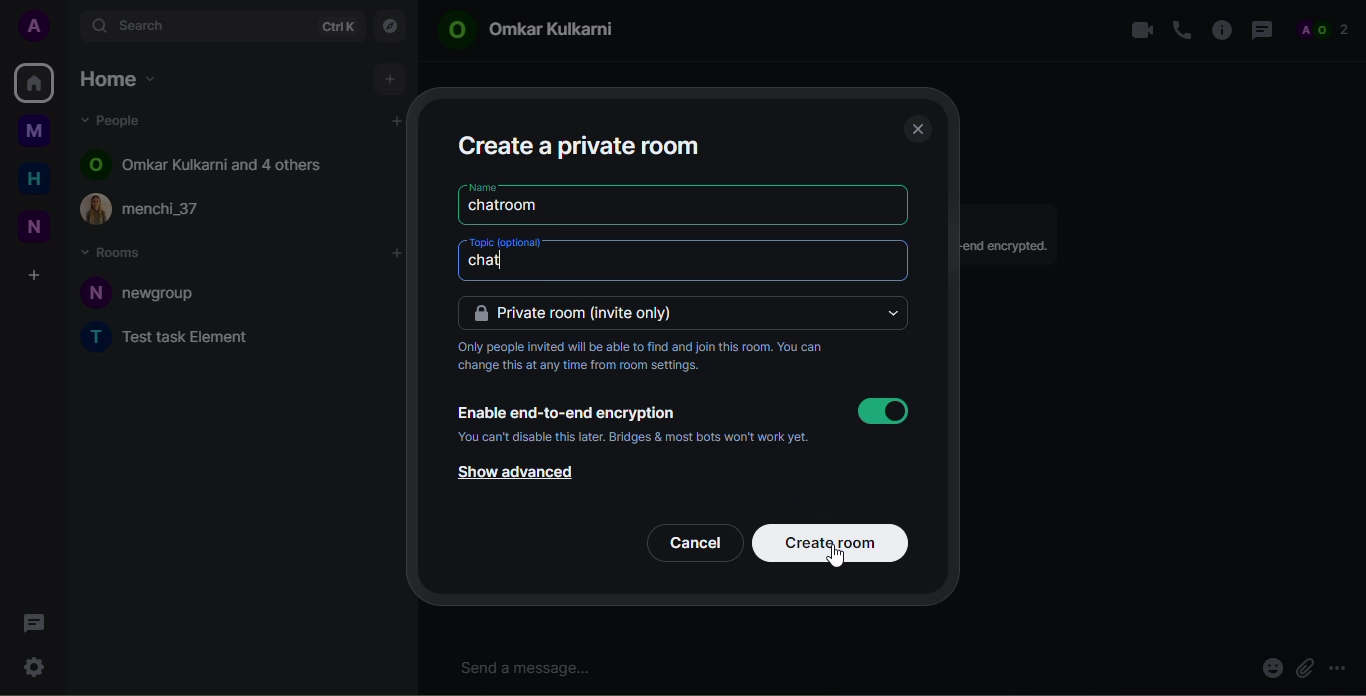 The width and height of the screenshot is (1366, 696). What do you see at coordinates (567, 409) in the screenshot?
I see `enable end-to-end encryption` at bounding box center [567, 409].